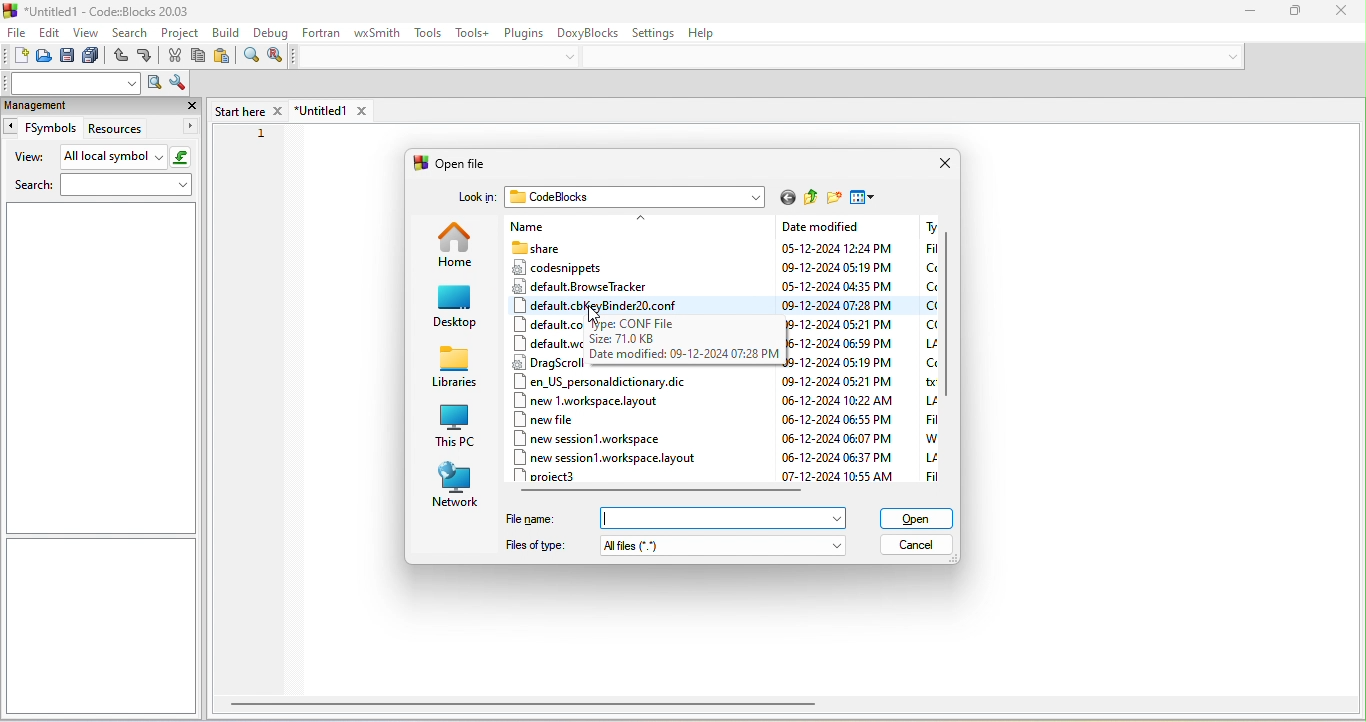  Describe the element at coordinates (837, 419) in the screenshot. I see `date` at that location.